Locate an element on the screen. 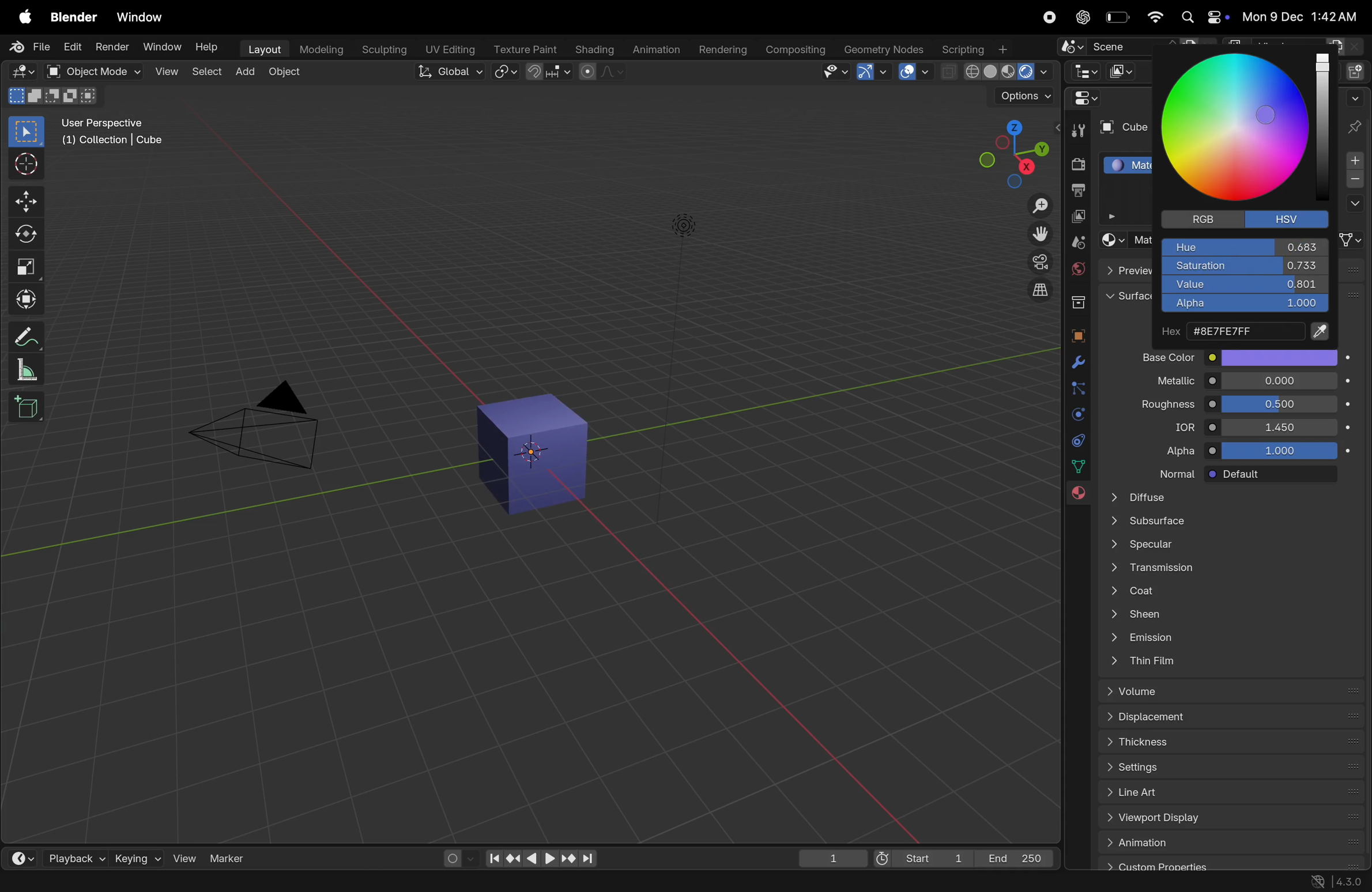  animation is located at coordinates (655, 51).